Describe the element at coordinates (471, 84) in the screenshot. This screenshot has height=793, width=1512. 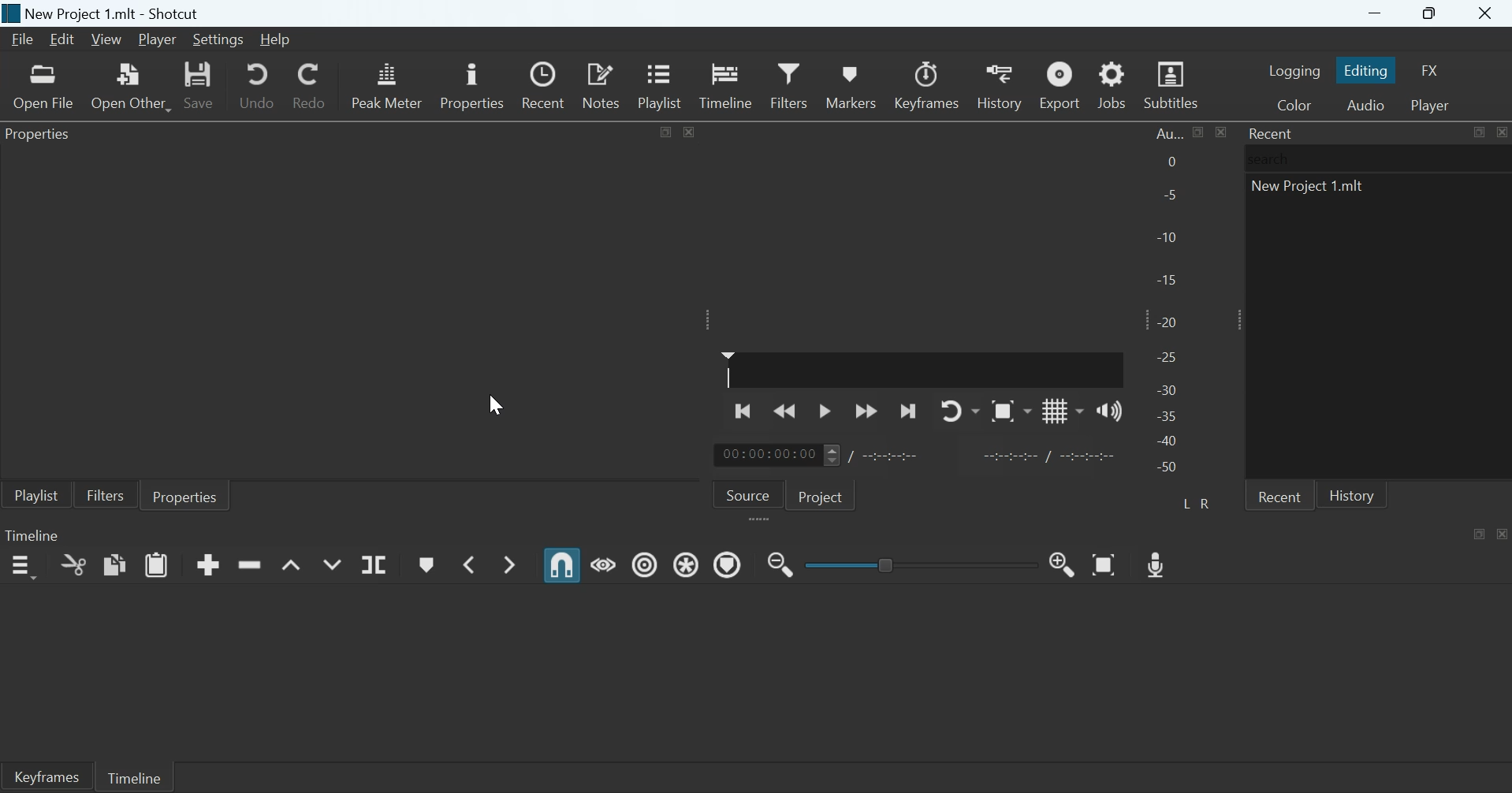
I see `Properties` at that location.